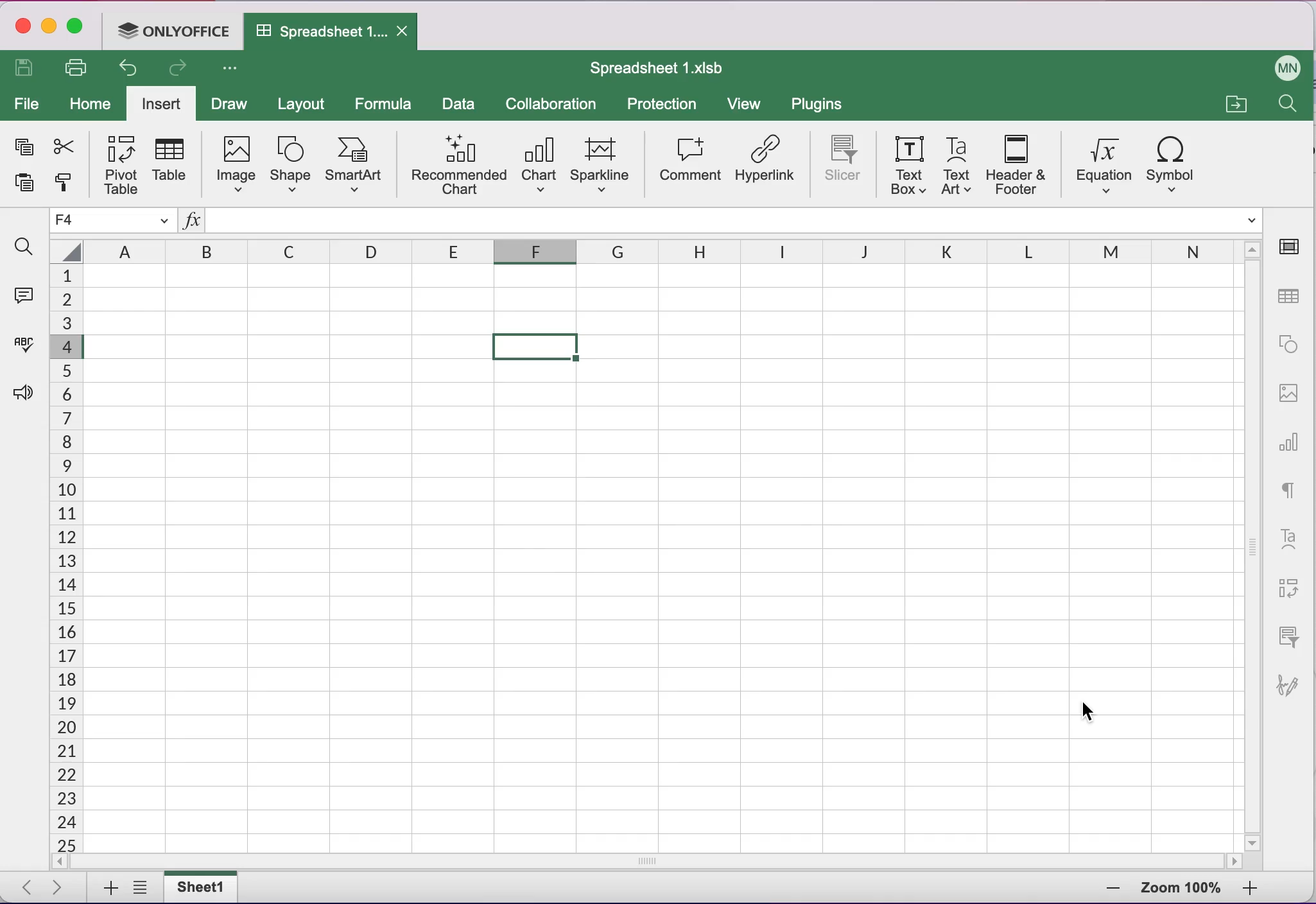  What do you see at coordinates (330, 33) in the screenshot?
I see `tab` at bounding box center [330, 33].